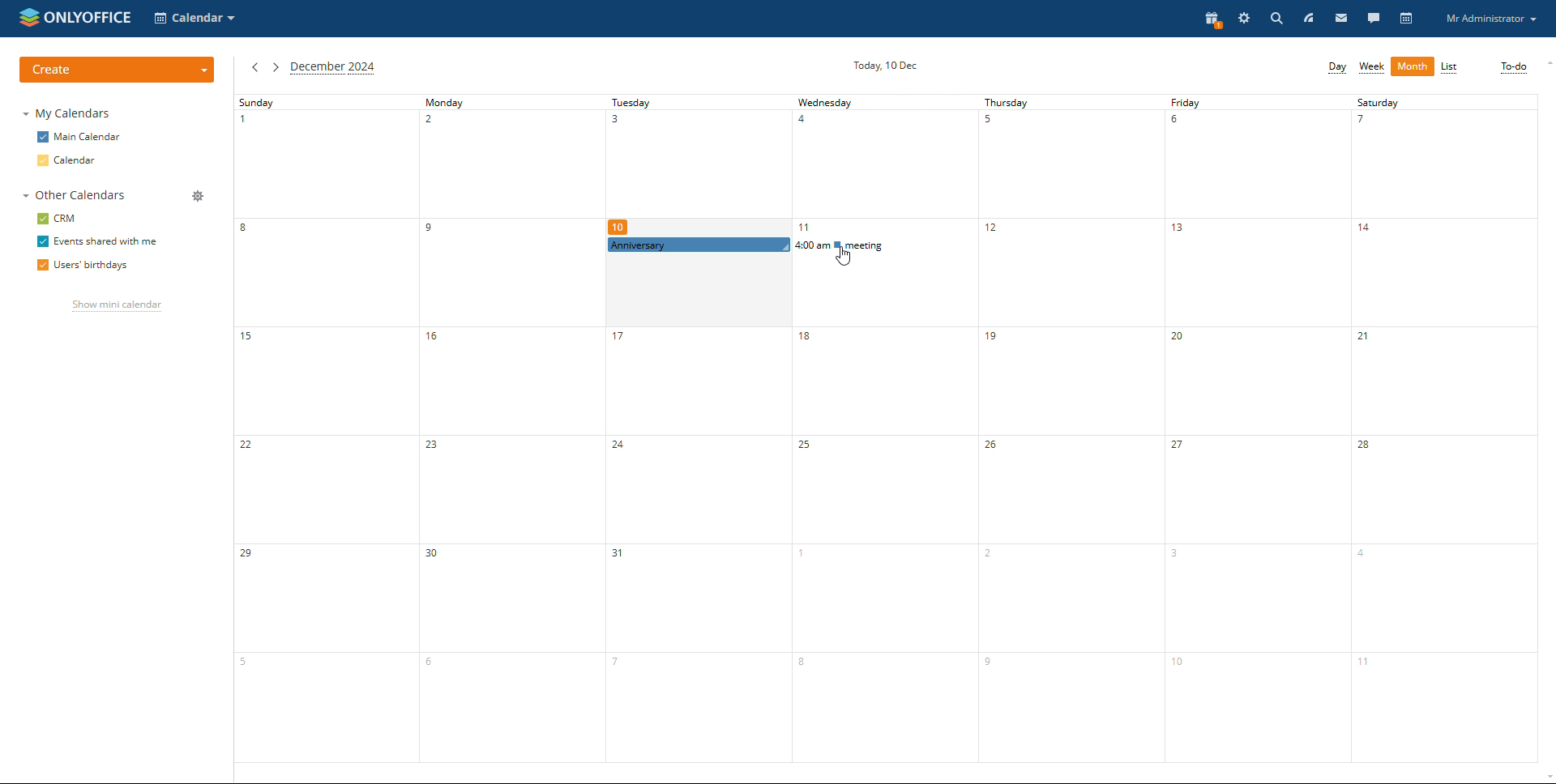 The height and width of the screenshot is (784, 1556). What do you see at coordinates (58, 218) in the screenshot?
I see `crm` at bounding box center [58, 218].